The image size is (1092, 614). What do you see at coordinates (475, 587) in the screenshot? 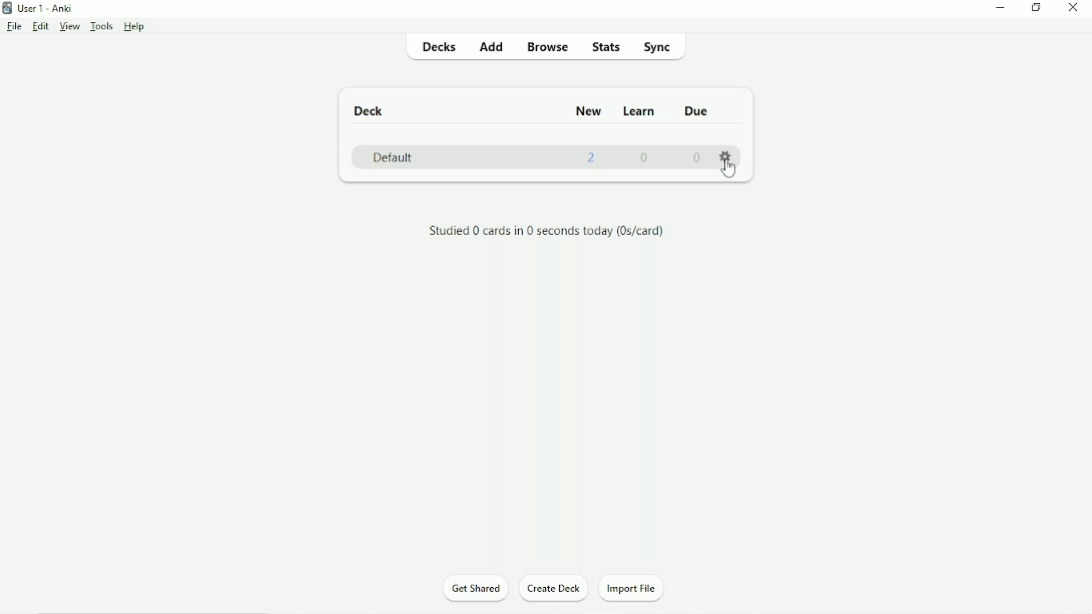
I see `Get Shared` at bounding box center [475, 587].